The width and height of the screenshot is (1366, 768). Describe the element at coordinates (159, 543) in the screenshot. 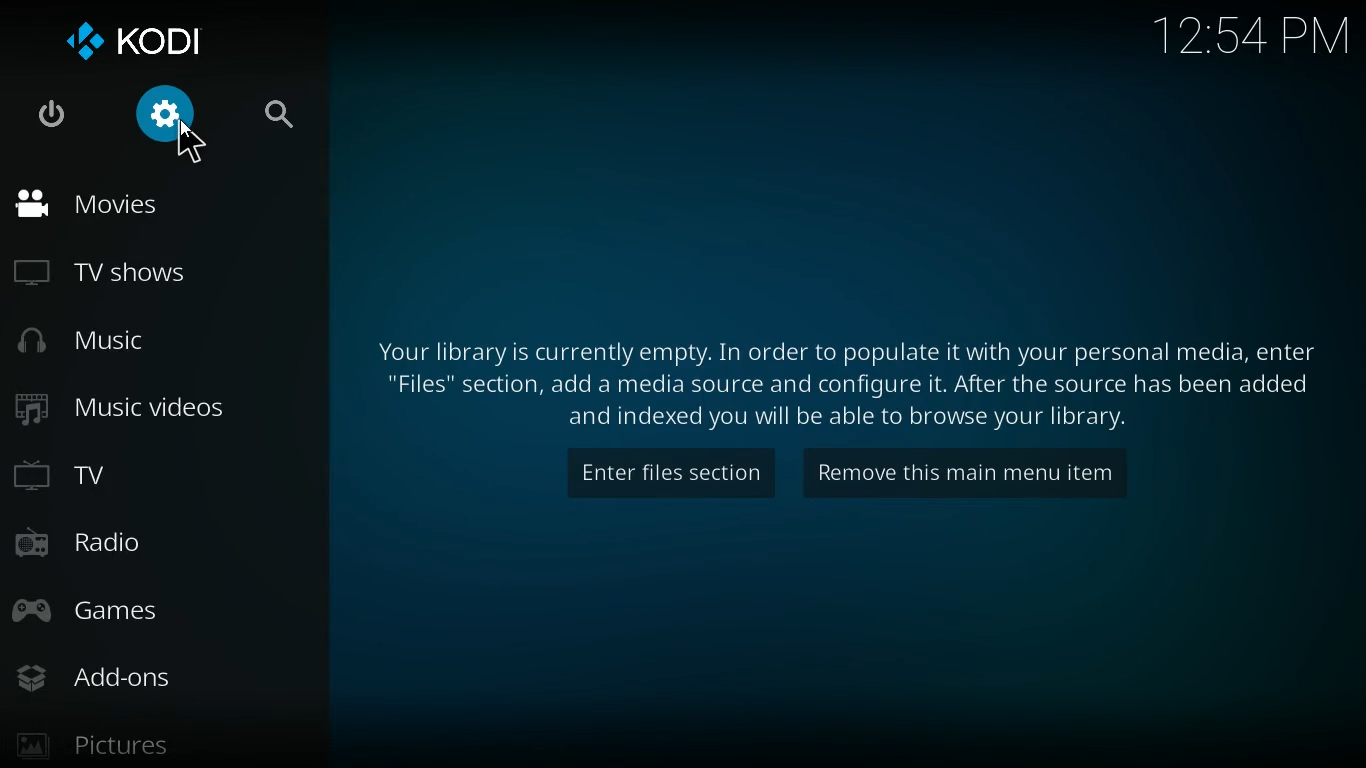

I see `radio` at that location.